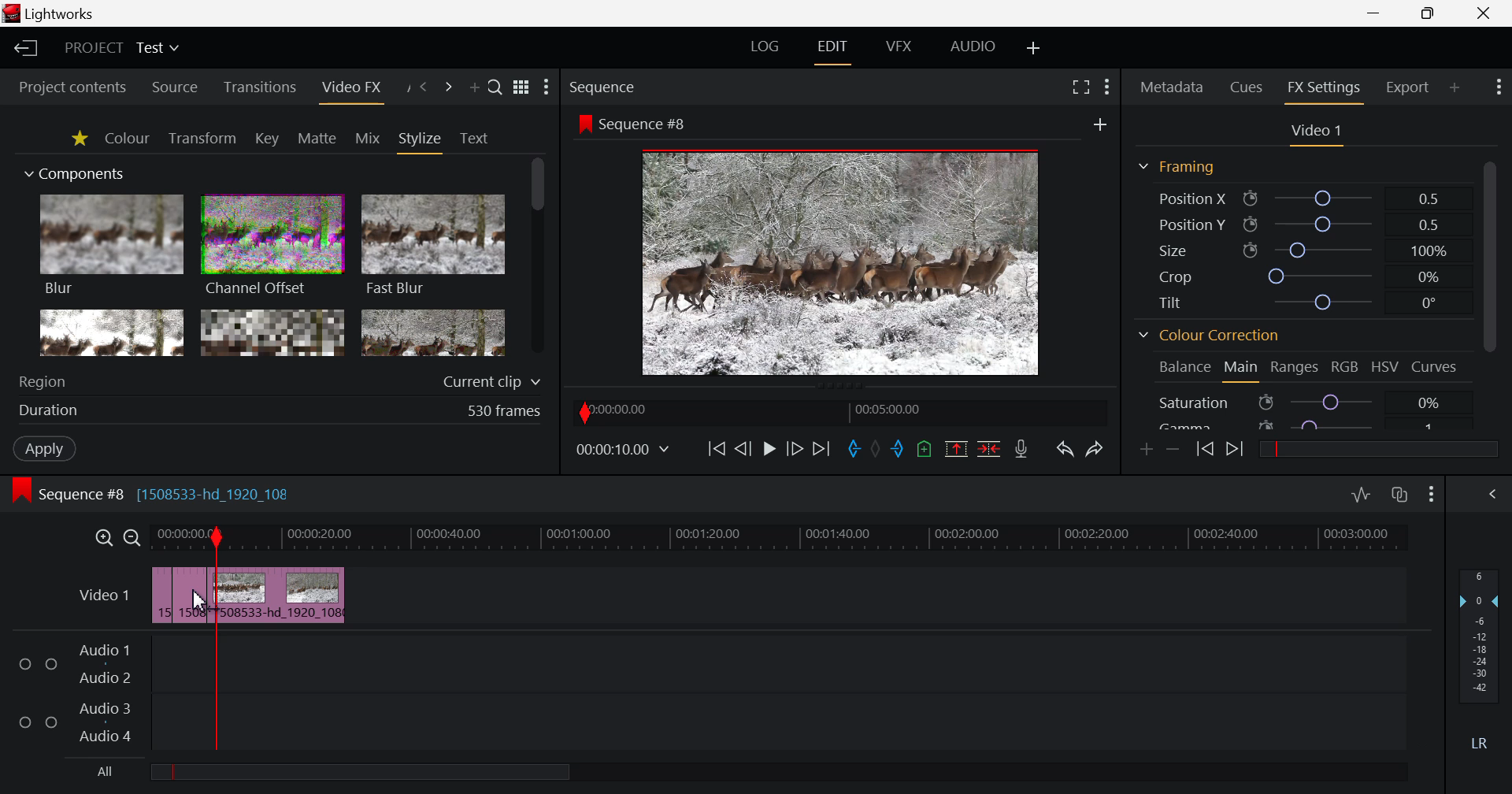 Image resolution: width=1512 pixels, height=794 pixels. Describe the element at coordinates (898, 47) in the screenshot. I see `VFX Layout` at that location.